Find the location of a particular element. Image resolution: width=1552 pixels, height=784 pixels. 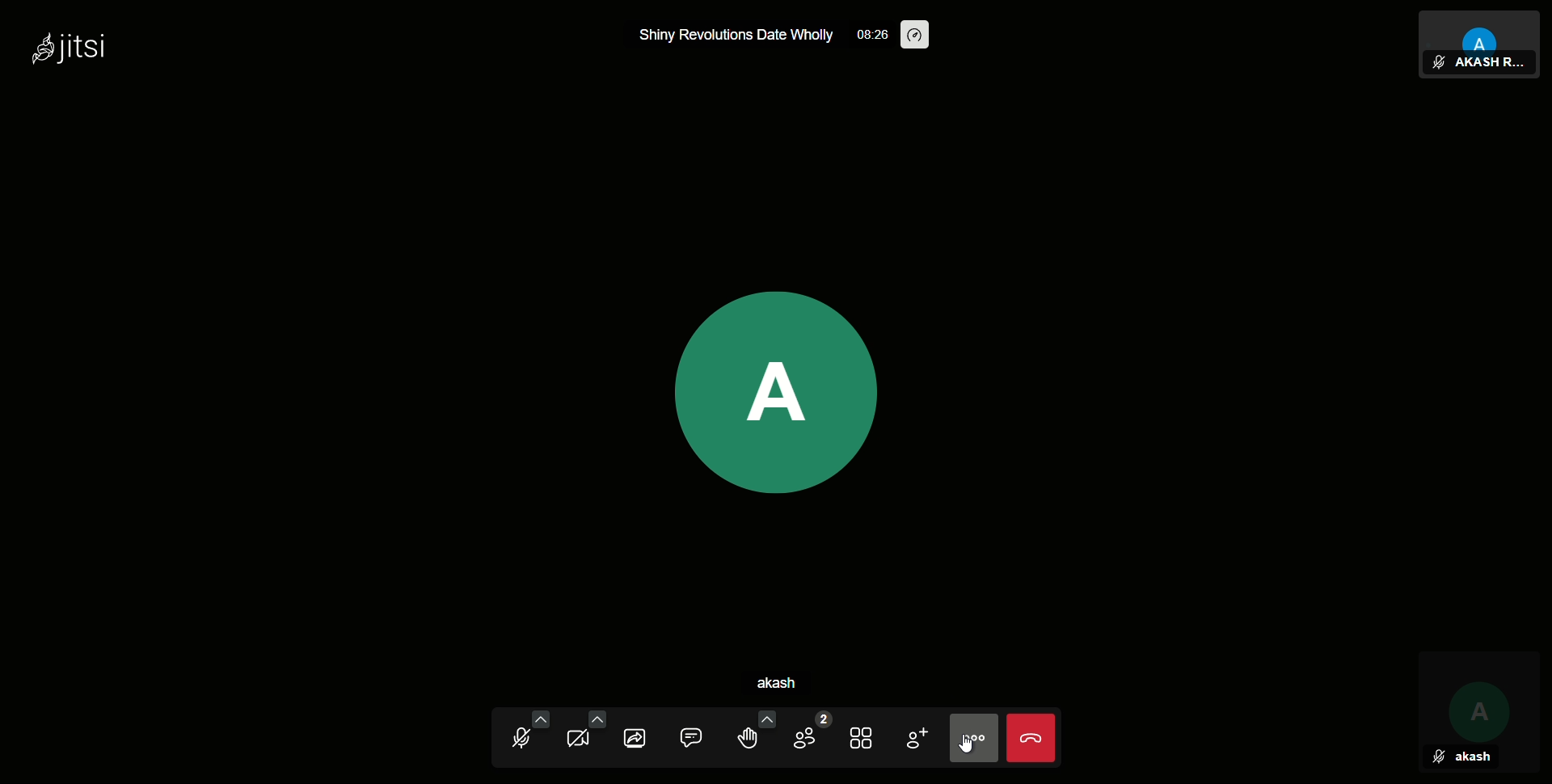

mute is located at coordinates (1438, 63).